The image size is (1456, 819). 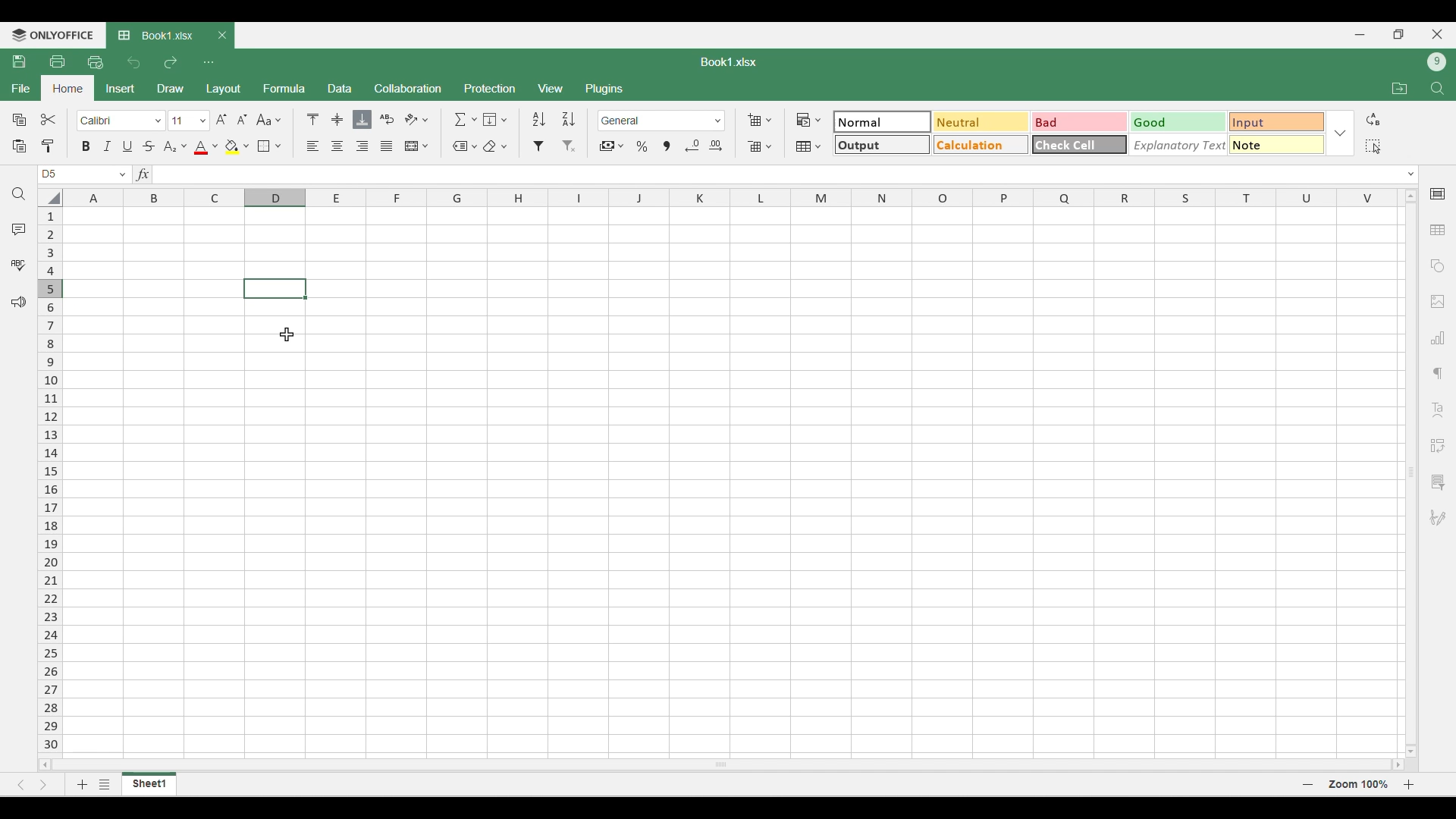 What do you see at coordinates (1438, 374) in the screenshot?
I see `Paragraph settings` at bounding box center [1438, 374].